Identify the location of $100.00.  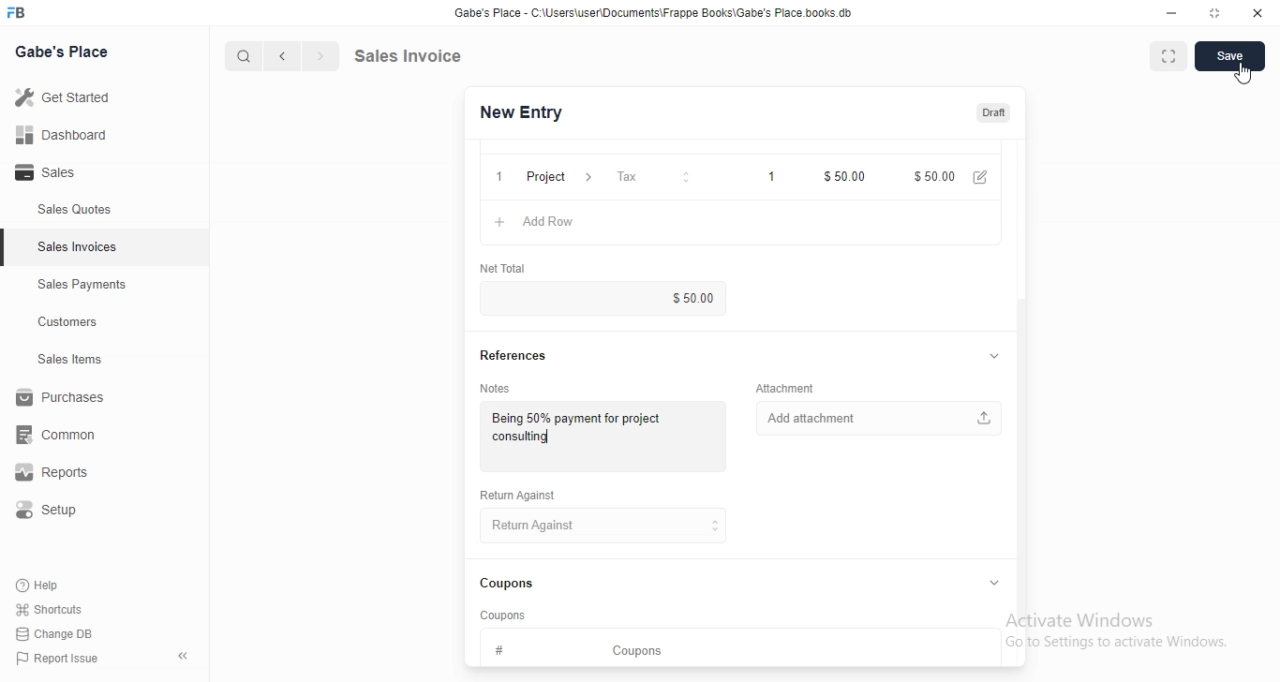
(679, 299).